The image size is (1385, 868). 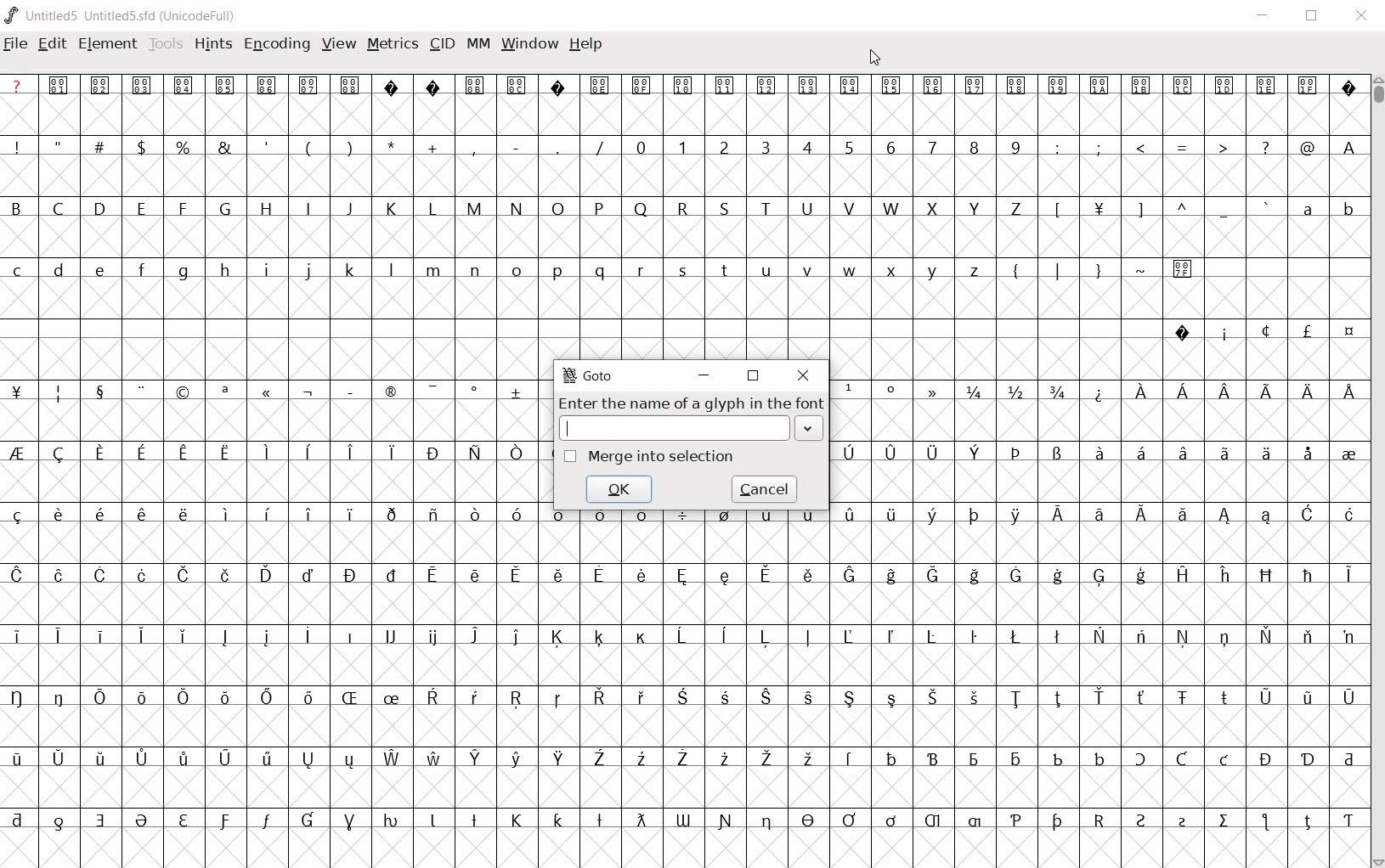 What do you see at coordinates (974, 576) in the screenshot?
I see `Symbol` at bounding box center [974, 576].